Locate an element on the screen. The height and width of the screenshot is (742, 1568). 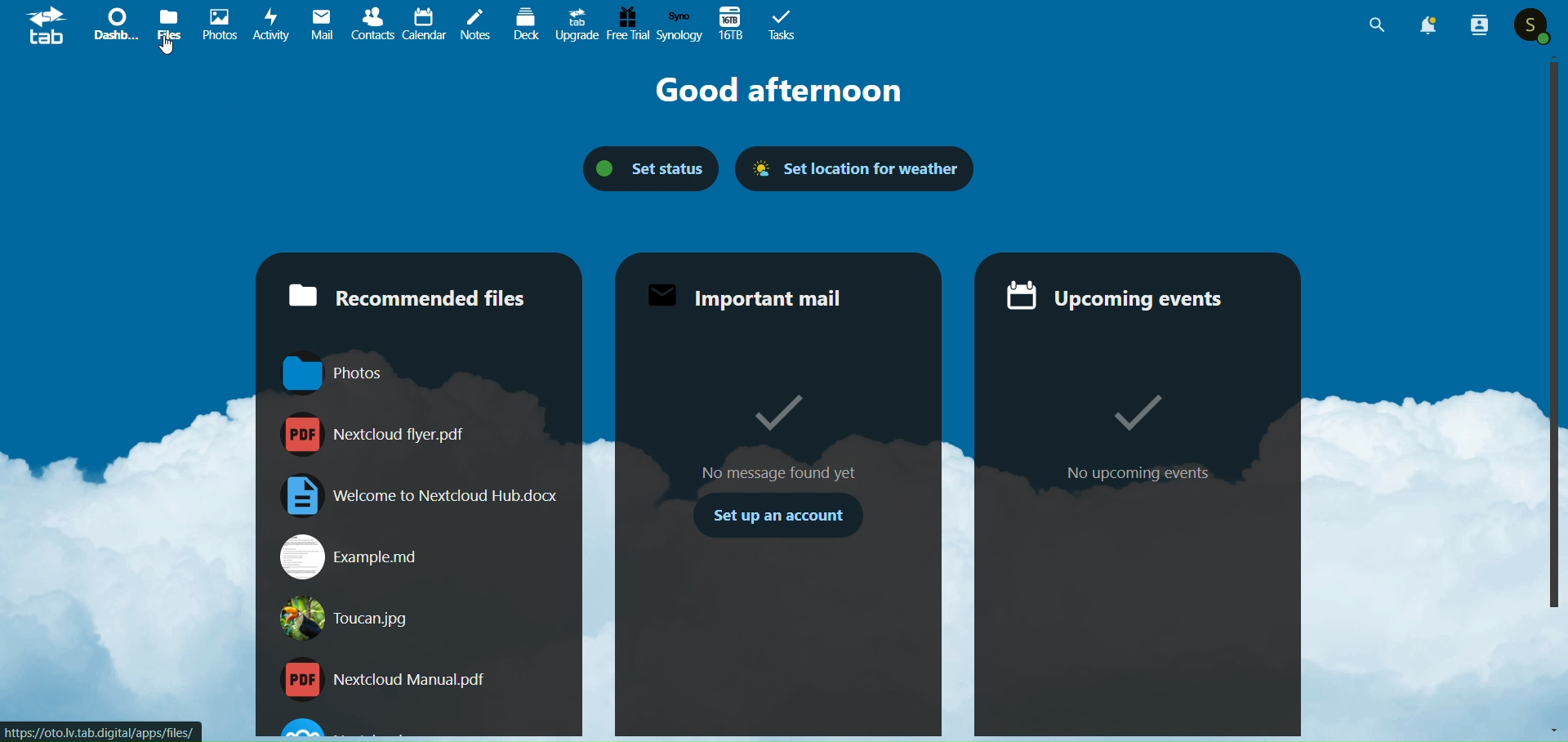
set status is located at coordinates (639, 168).